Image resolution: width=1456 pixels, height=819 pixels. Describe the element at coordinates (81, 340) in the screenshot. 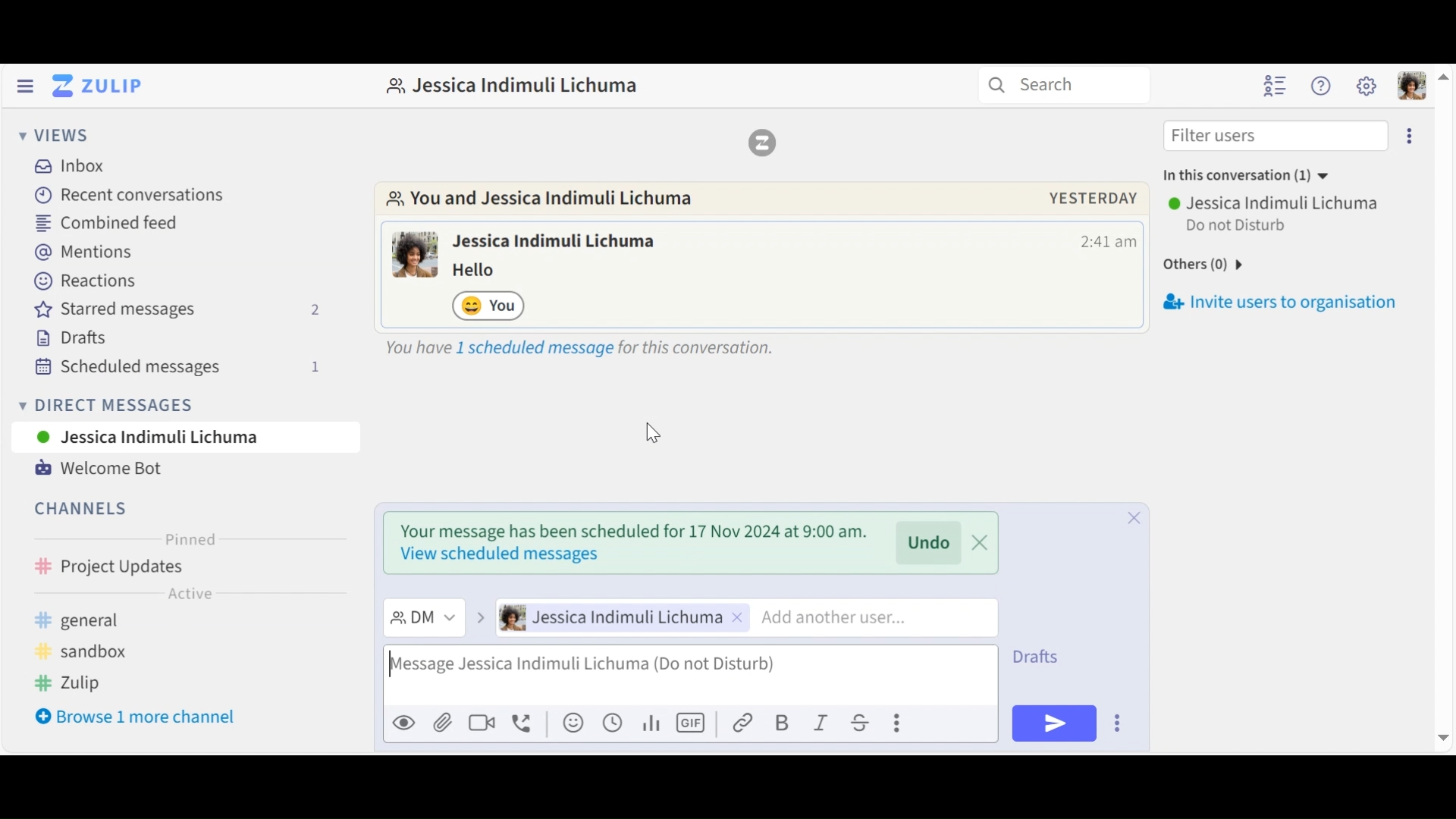

I see `Drafts` at that location.